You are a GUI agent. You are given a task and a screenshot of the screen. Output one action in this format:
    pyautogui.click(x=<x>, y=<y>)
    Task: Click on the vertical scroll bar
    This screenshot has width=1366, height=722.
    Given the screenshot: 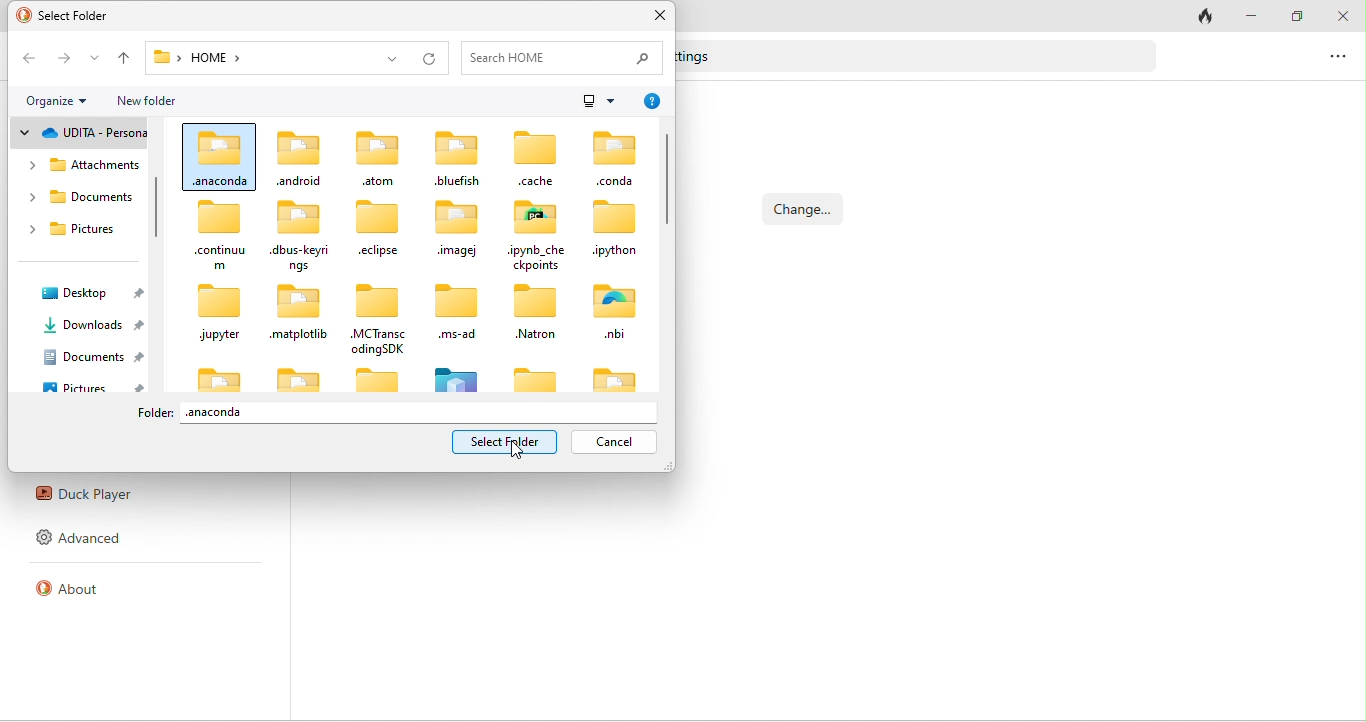 What is the action you would take?
    pyautogui.click(x=160, y=209)
    